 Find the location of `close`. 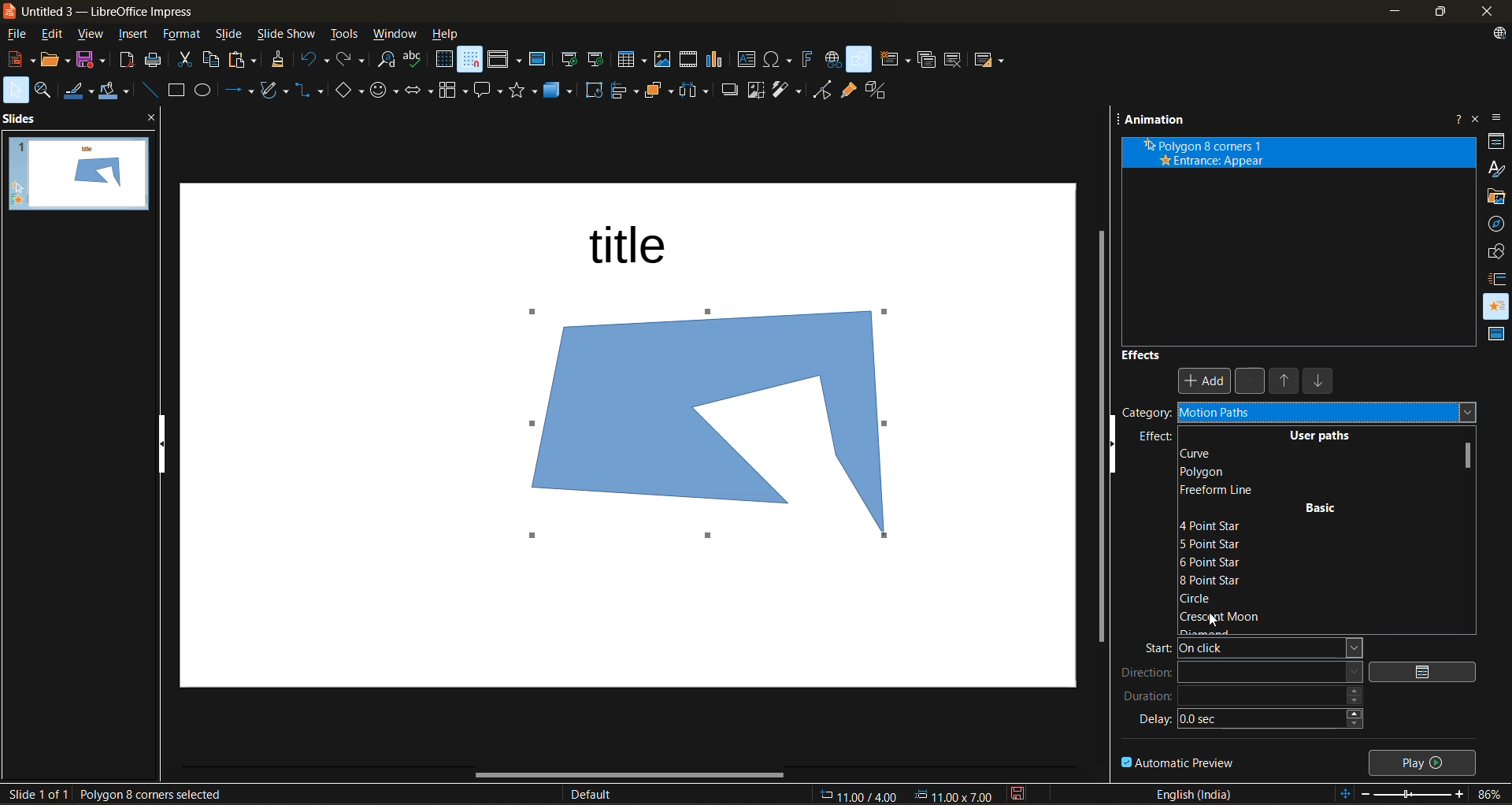

close is located at coordinates (1490, 13).